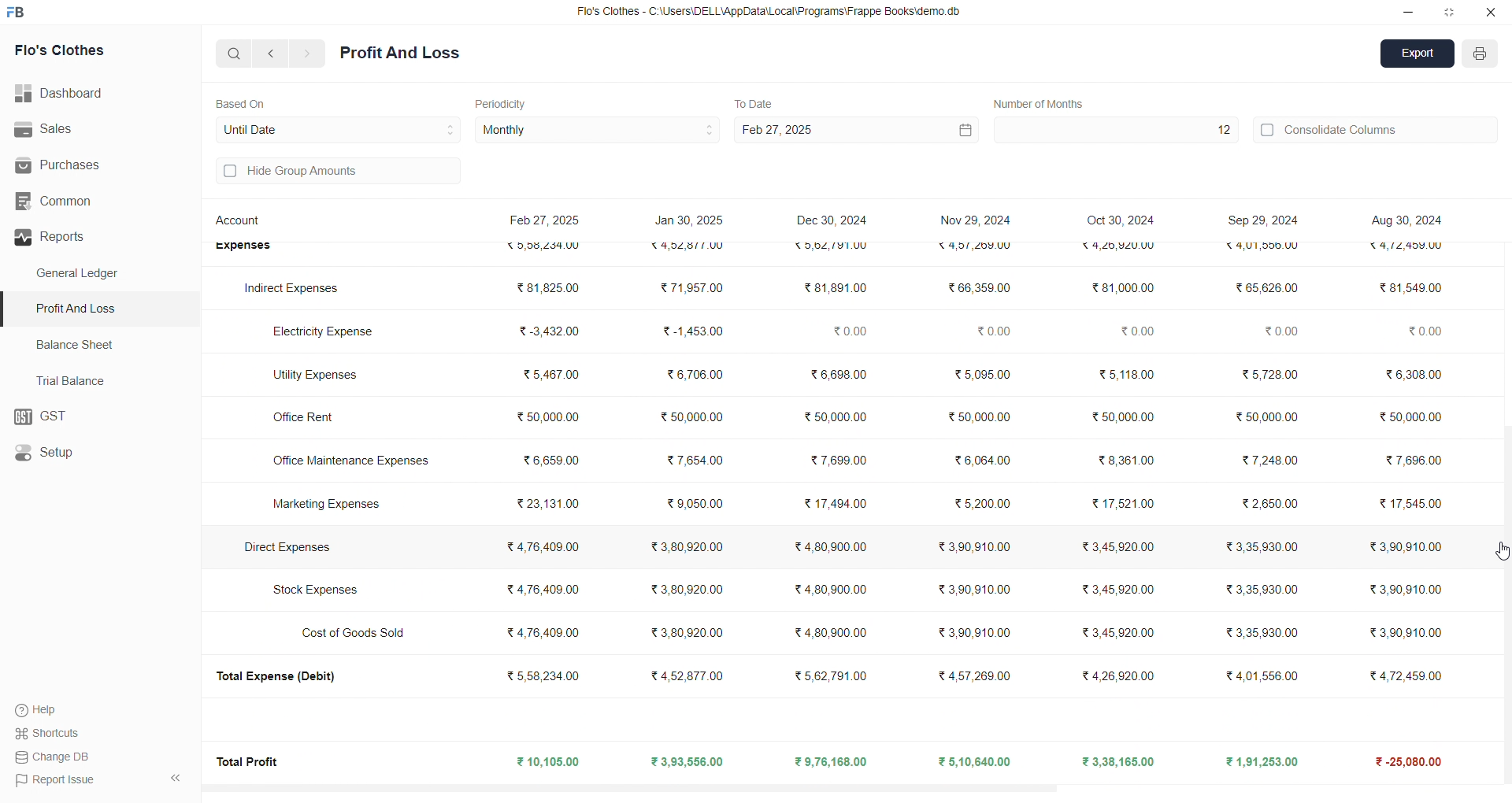 This screenshot has height=803, width=1512. What do you see at coordinates (86, 274) in the screenshot?
I see `General Ledger` at bounding box center [86, 274].